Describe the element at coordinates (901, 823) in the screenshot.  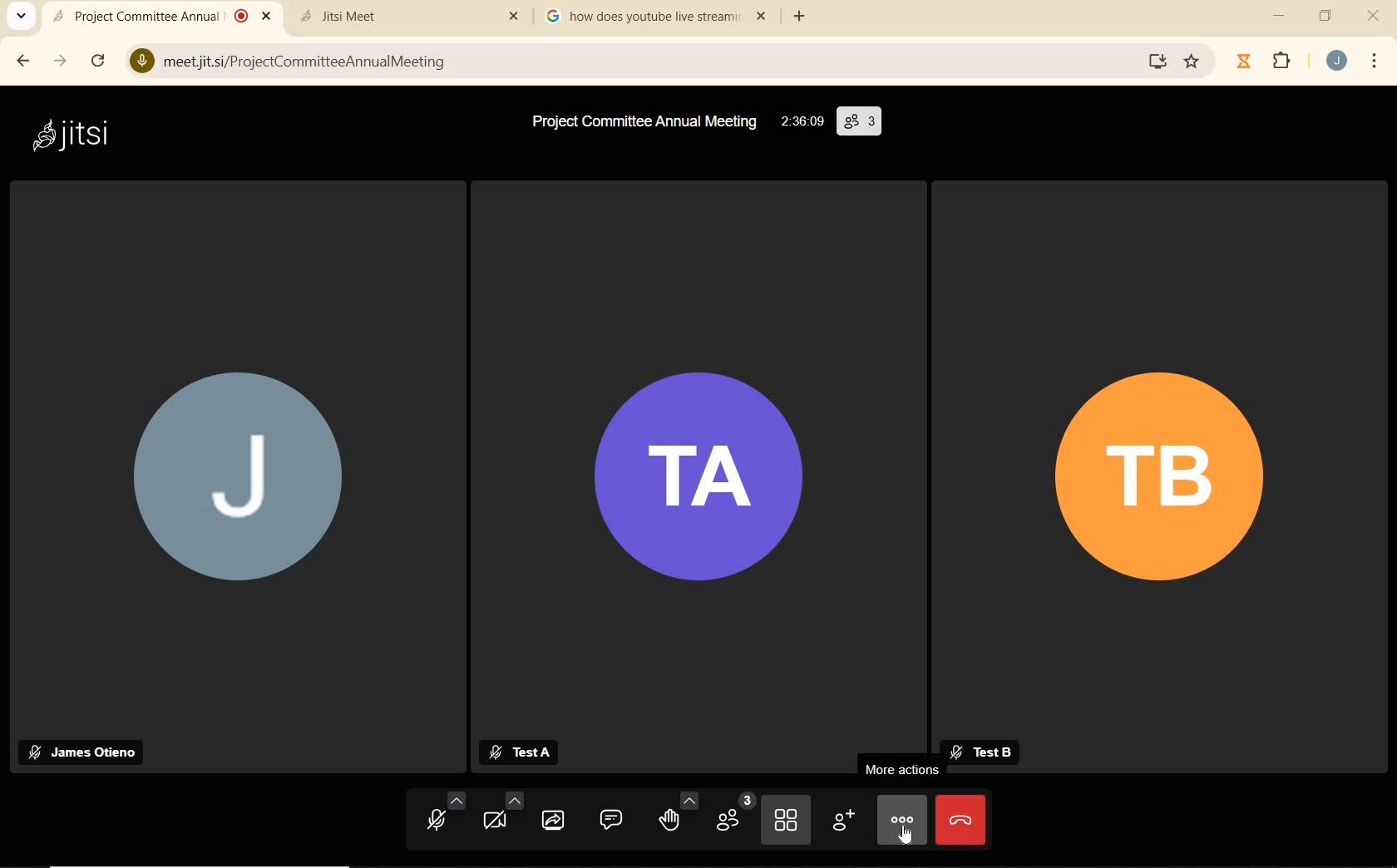
I see `MORE ACTIONS` at that location.